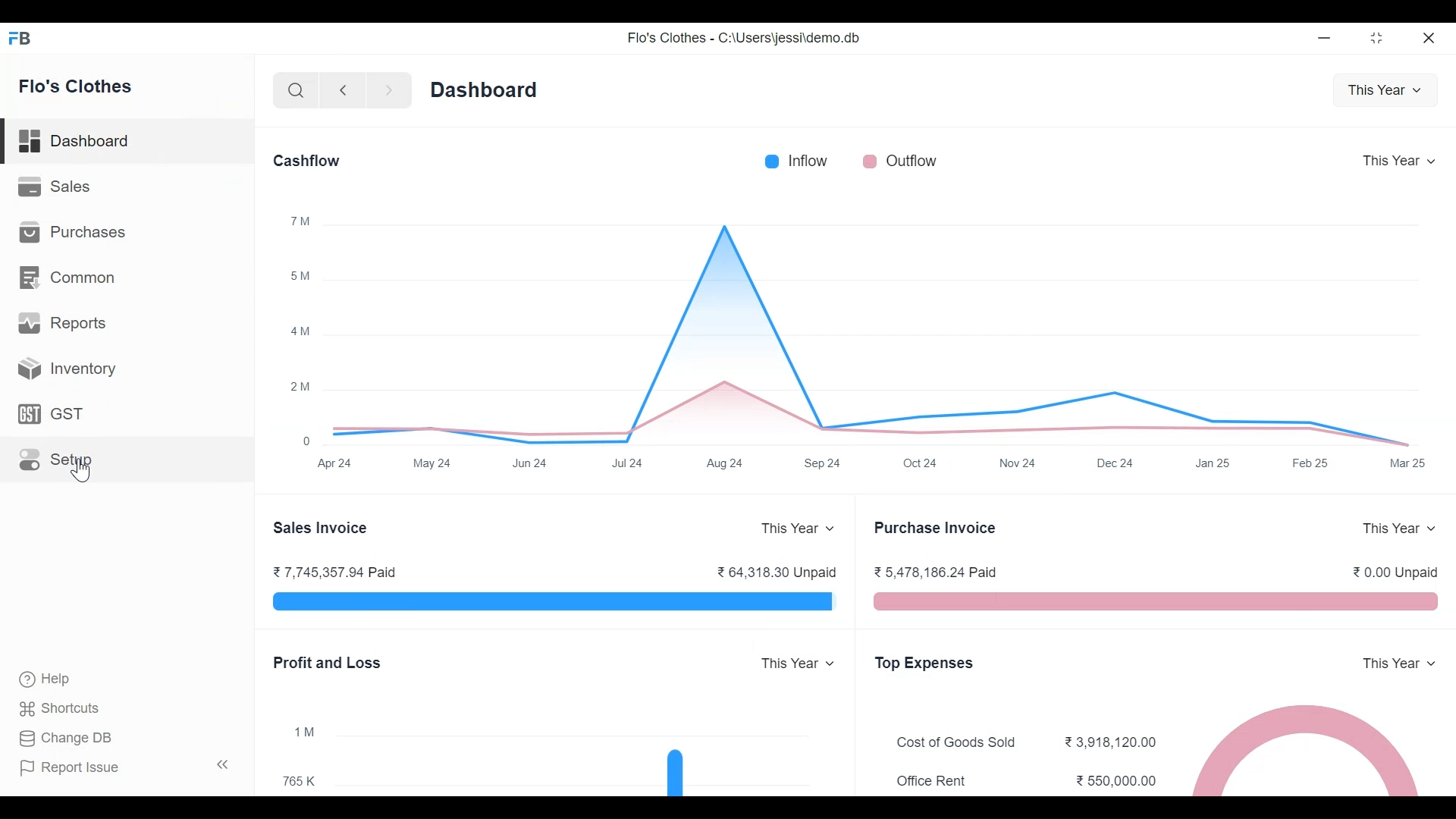  I want to click on Jun 24, so click(529, 465).